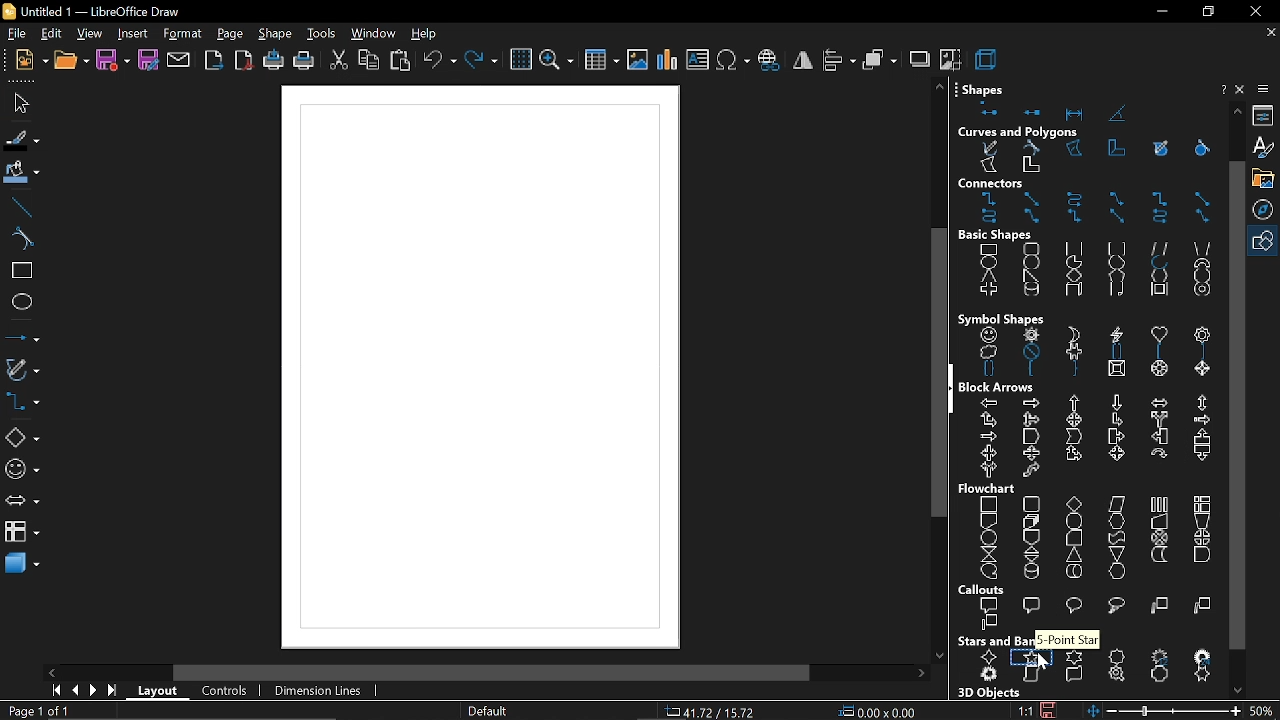  What do you see at coordinates (94, 691) in the screenshot?
I see `next page` at bounding box center [94, 691].